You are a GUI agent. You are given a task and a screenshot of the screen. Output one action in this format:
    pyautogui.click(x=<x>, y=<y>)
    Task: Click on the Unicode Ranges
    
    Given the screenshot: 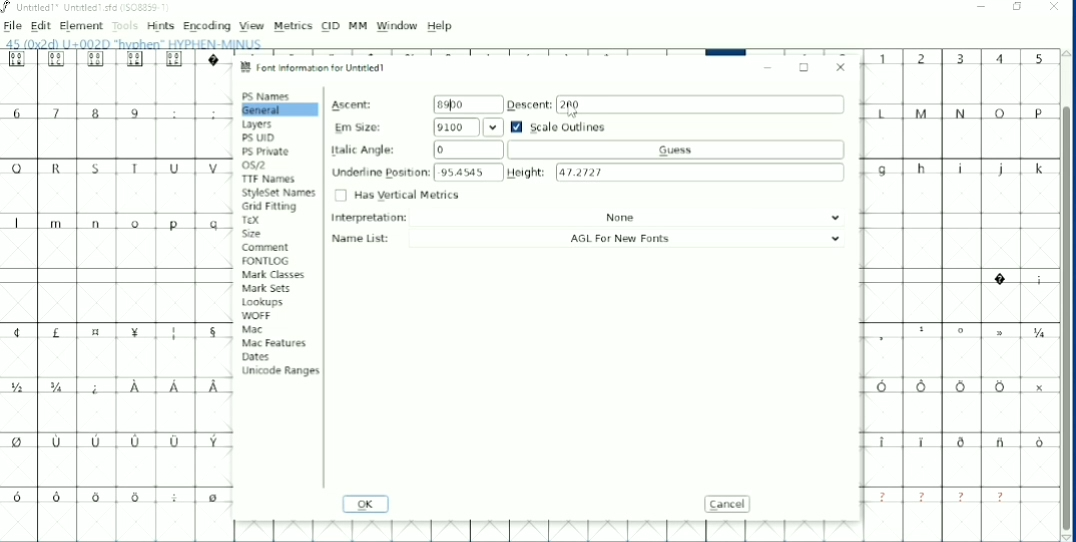 What is the action you would take?
    pyautogui.click(x=280, y=370)
    